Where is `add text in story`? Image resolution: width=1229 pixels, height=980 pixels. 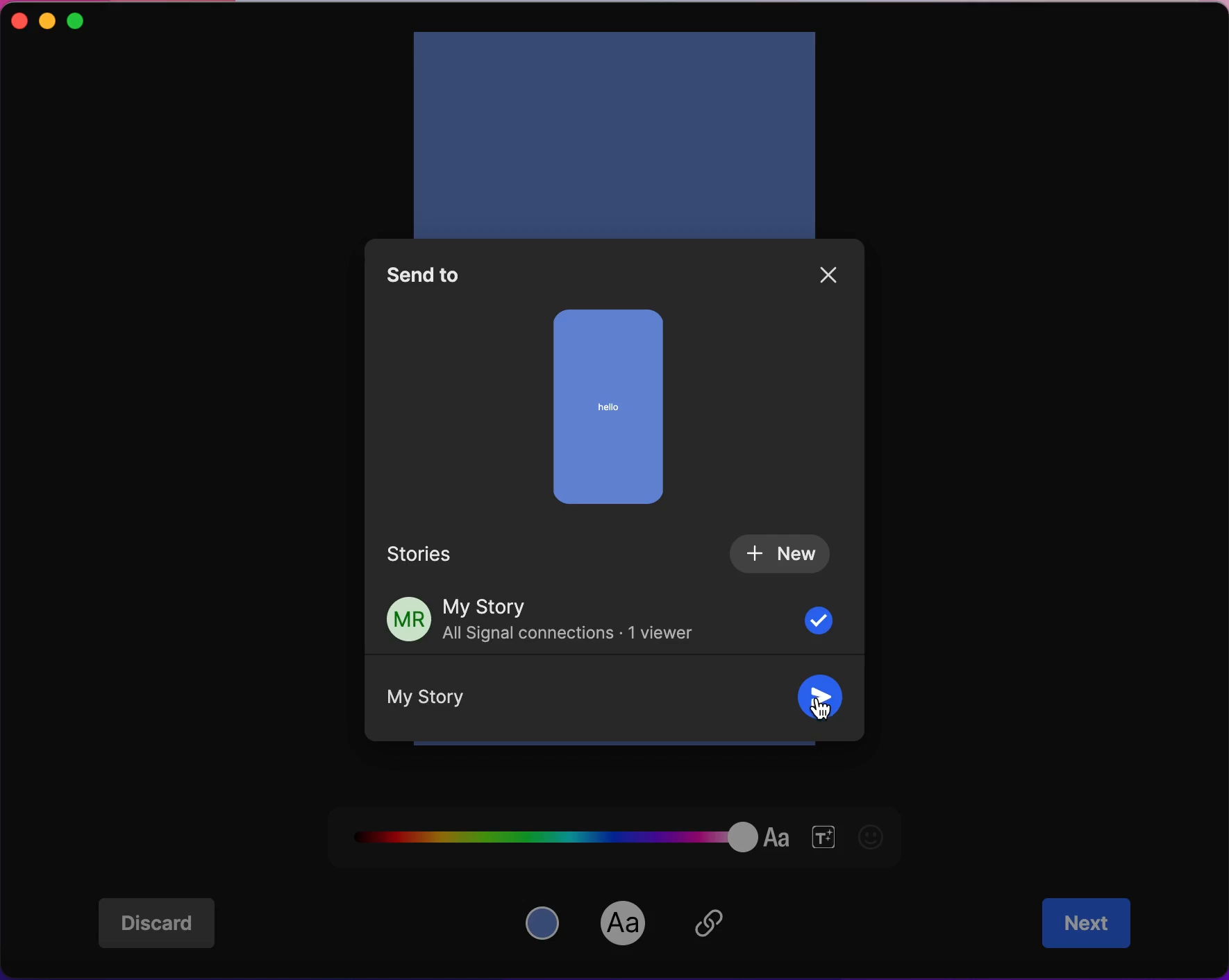
add text in story is located at coordinates (619, 126).